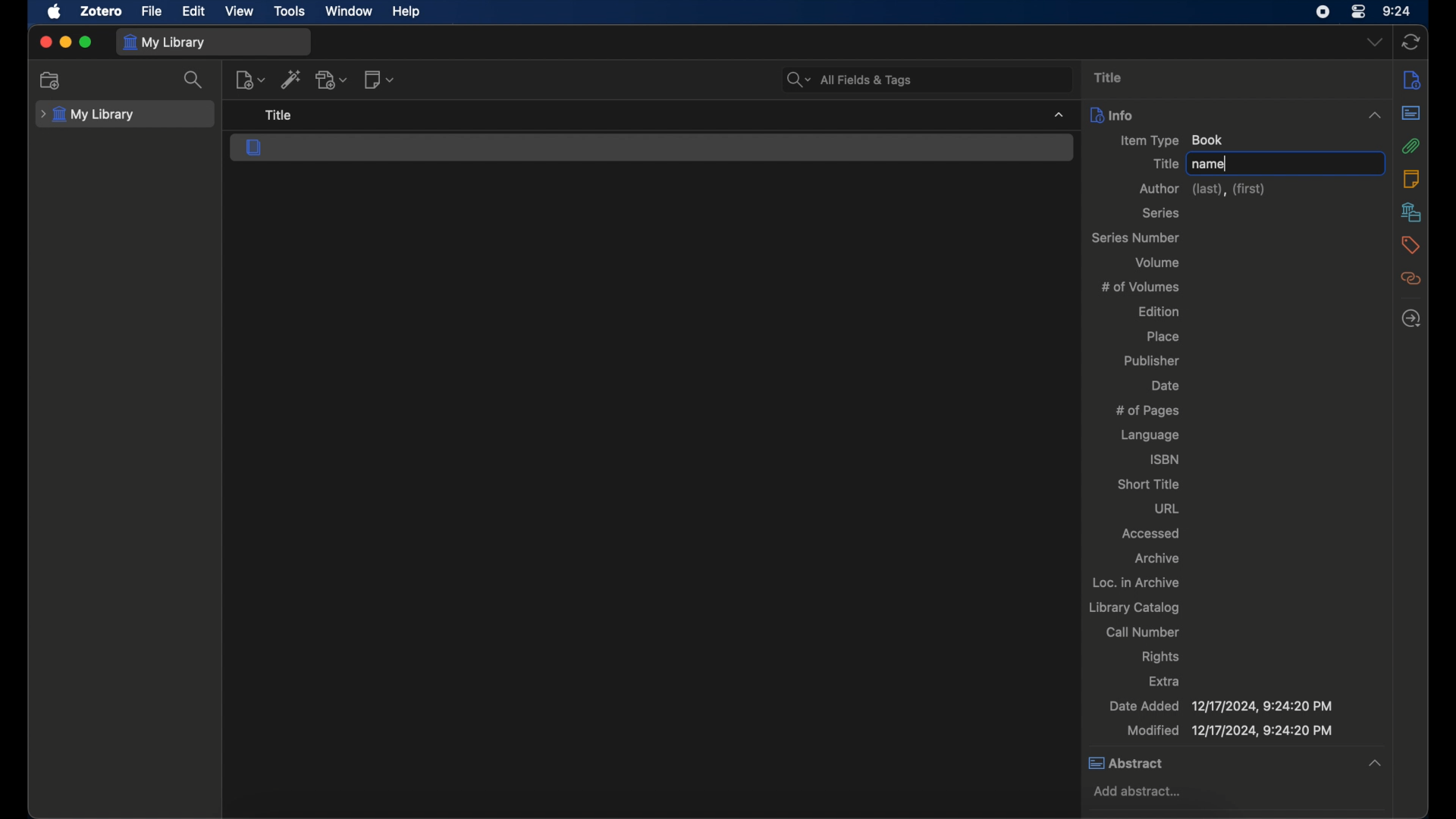 The height and width of the screenshot is (819, 1456). Describe the element at coordinates (288, 115) in the screenshot. I see `tooltip` at that location.